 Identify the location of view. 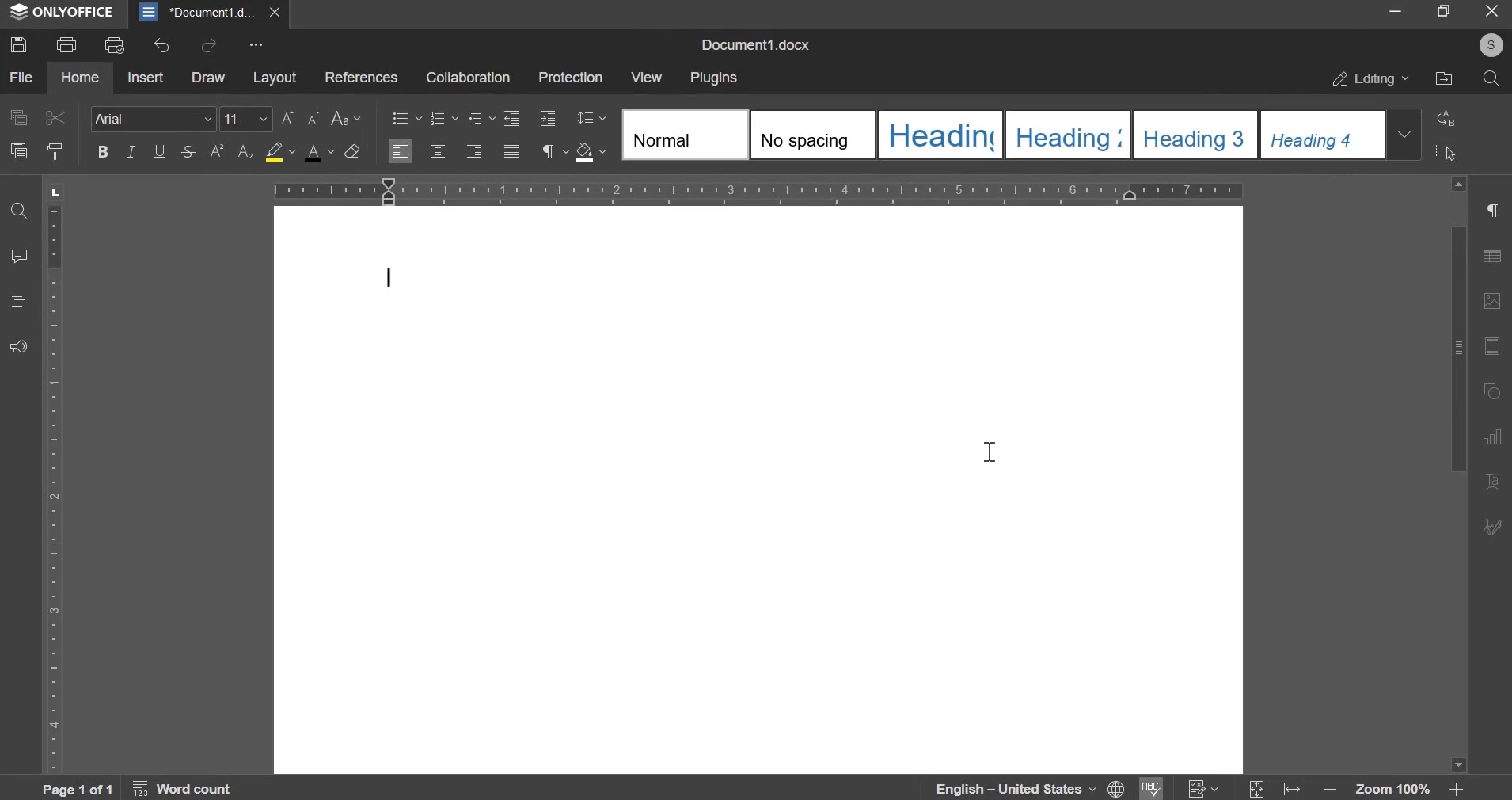
(648, 78).